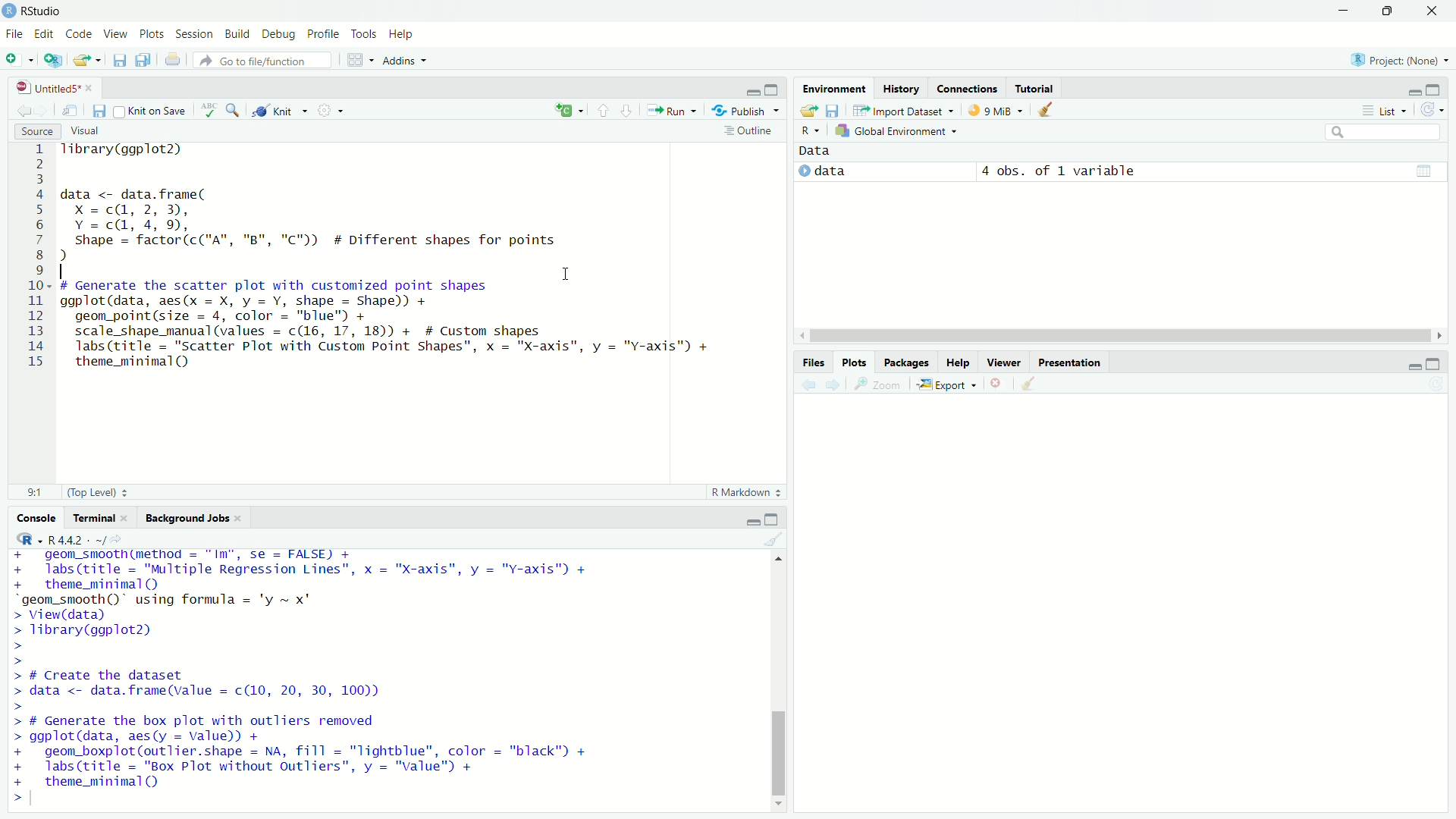 This screenshot has width=1456, height=819. Describe the element at coordinates (604, 110) in the screenshot. I see `Go to previous section/chunk` at that location.